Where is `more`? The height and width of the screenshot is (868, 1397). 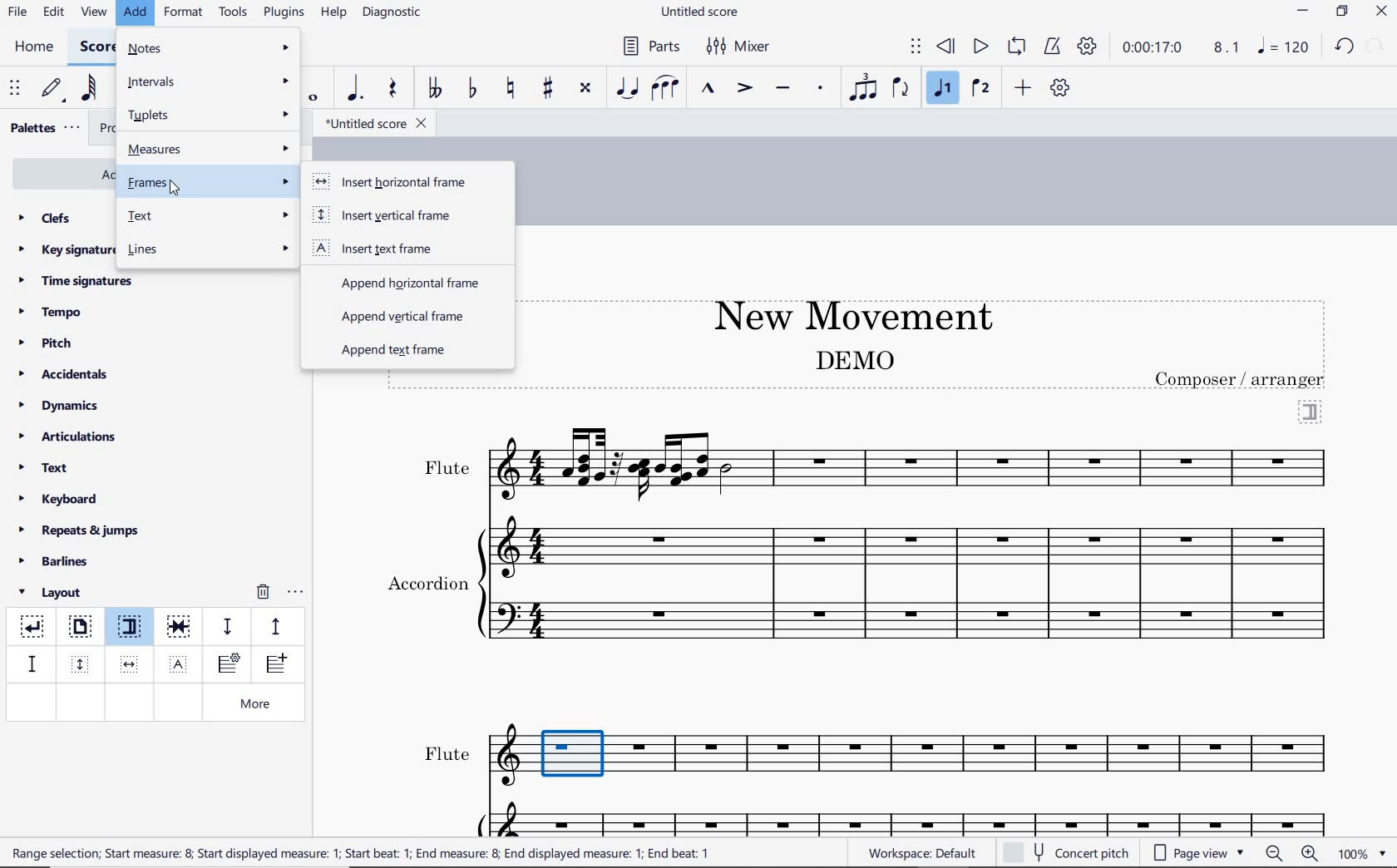 more is located at coordinates (259, 705).